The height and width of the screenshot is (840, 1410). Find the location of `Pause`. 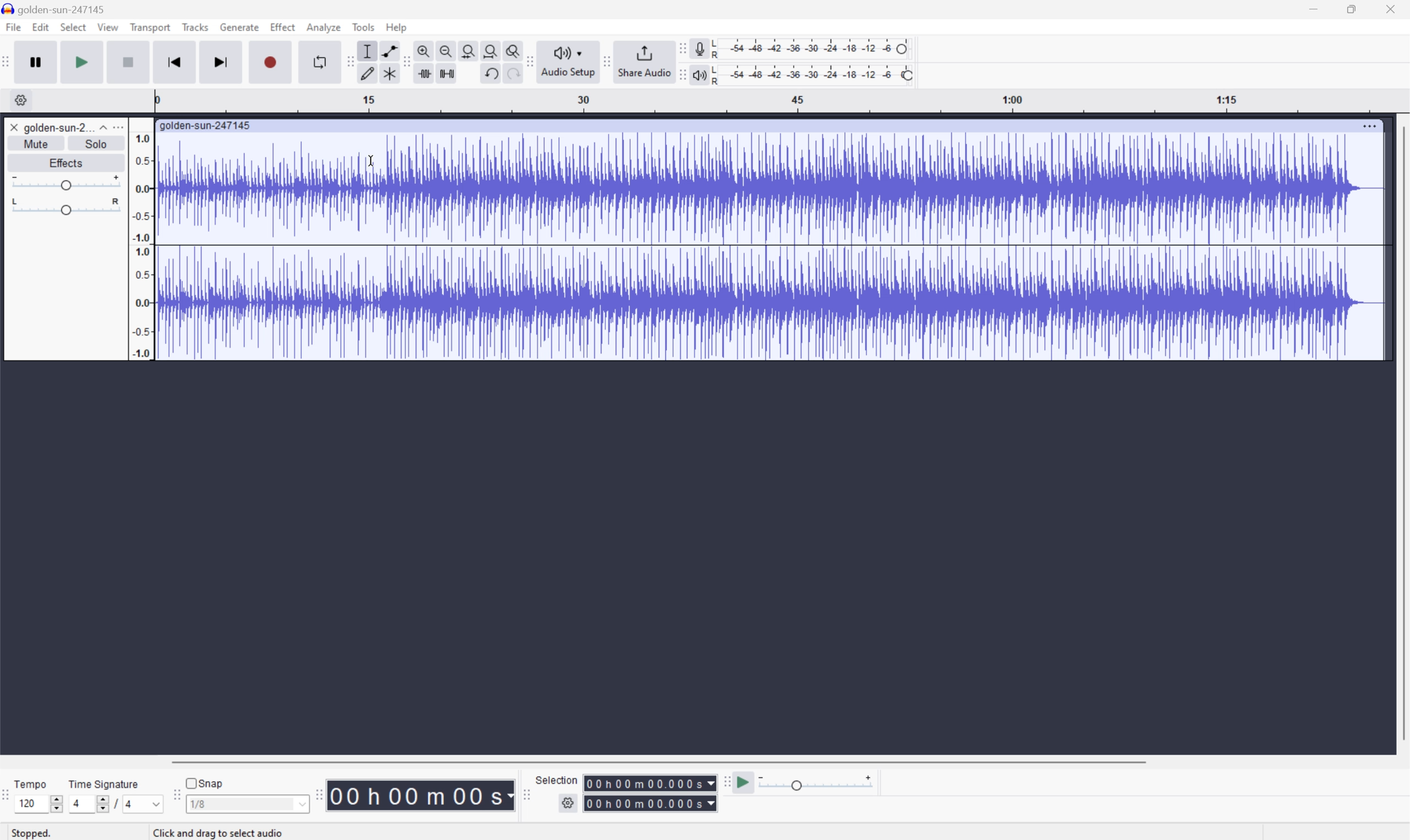

Pause is located at coordinates (35, 62).